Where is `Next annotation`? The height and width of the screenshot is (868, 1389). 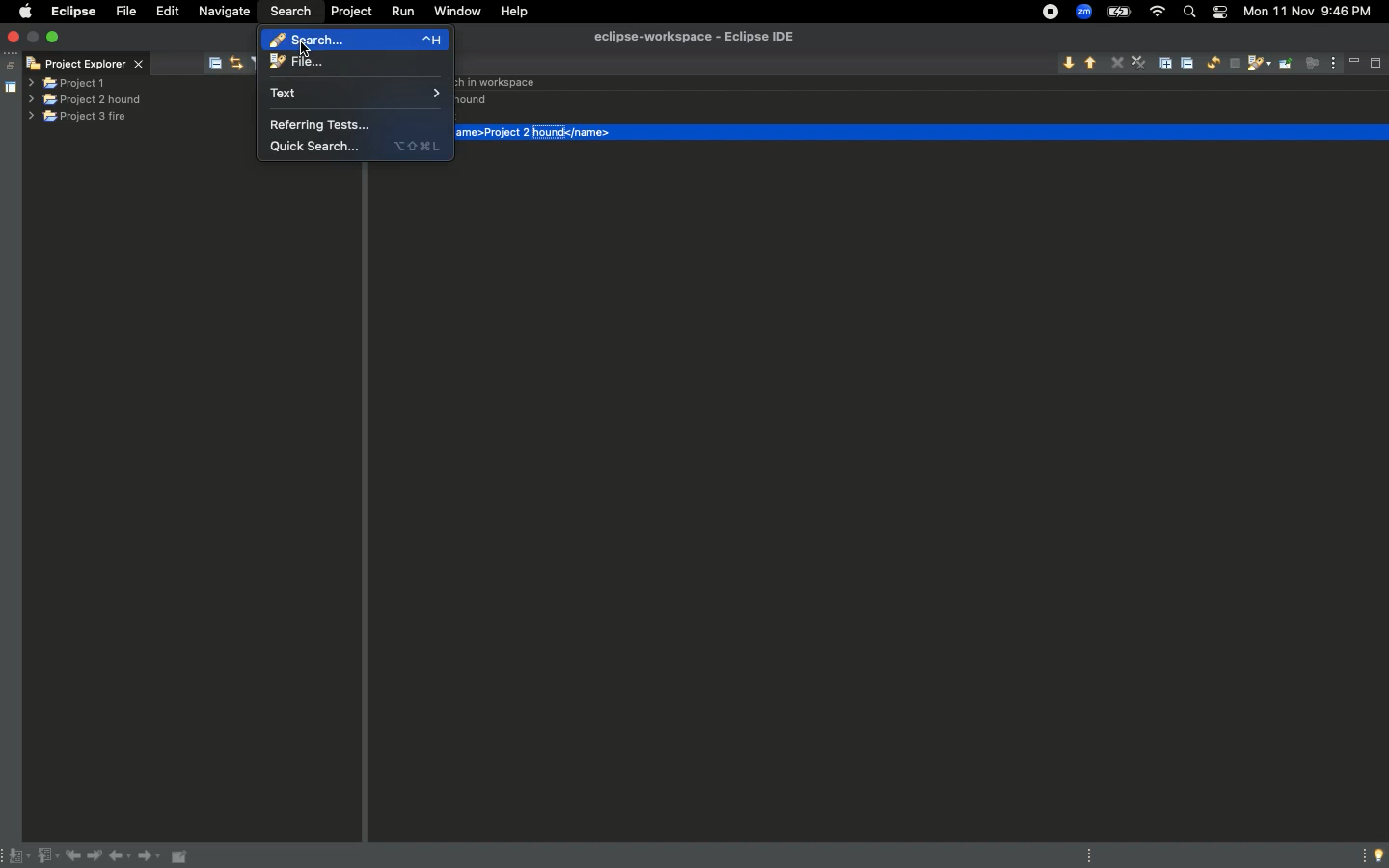
Next annotation is located at coordinates (16, 856).